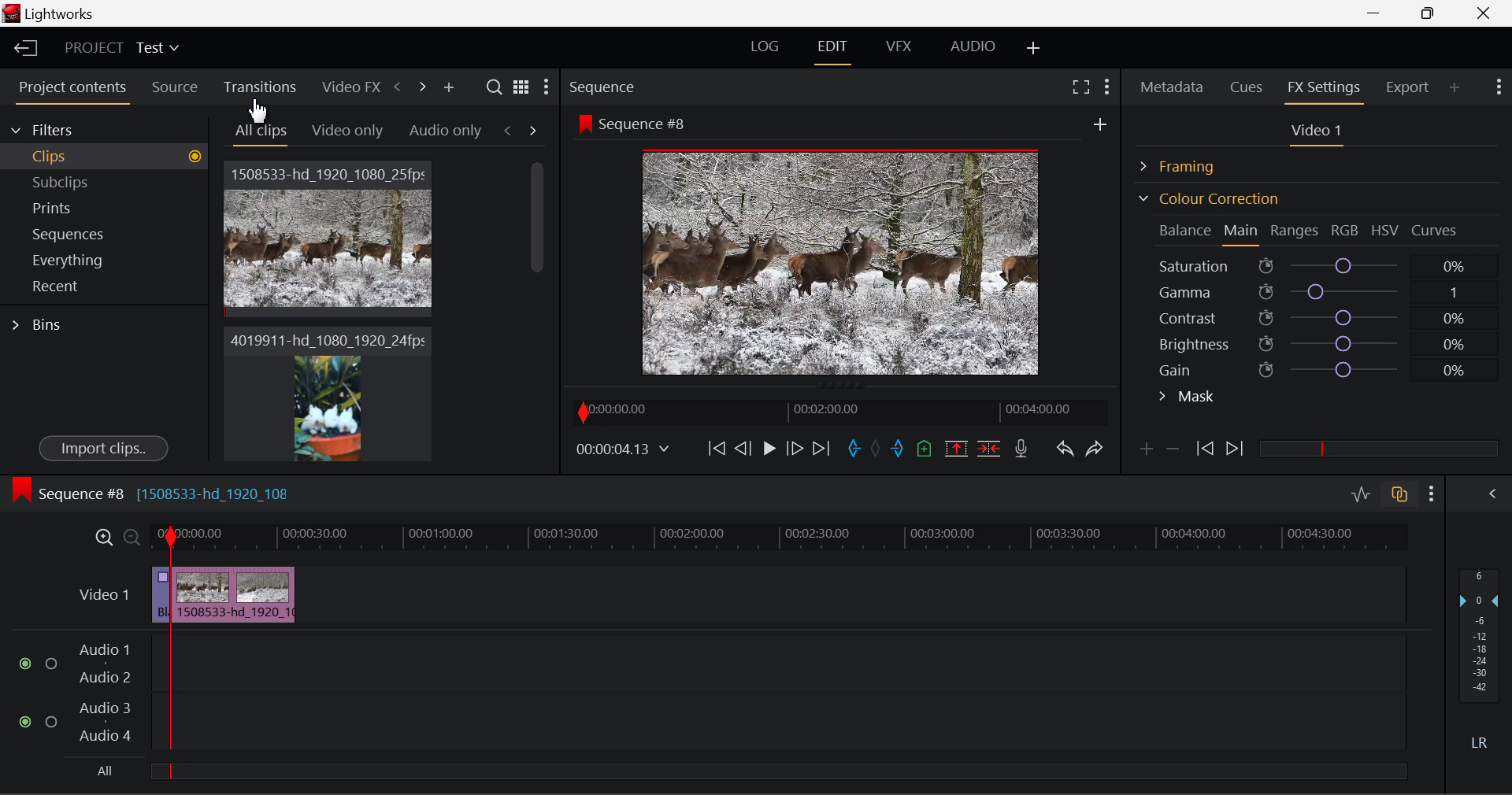 The image size is (1512, 795). What do you see at coordinates (448, 88) in the screenshot?
I see `Add Panel` at bounding box center [448, 88].